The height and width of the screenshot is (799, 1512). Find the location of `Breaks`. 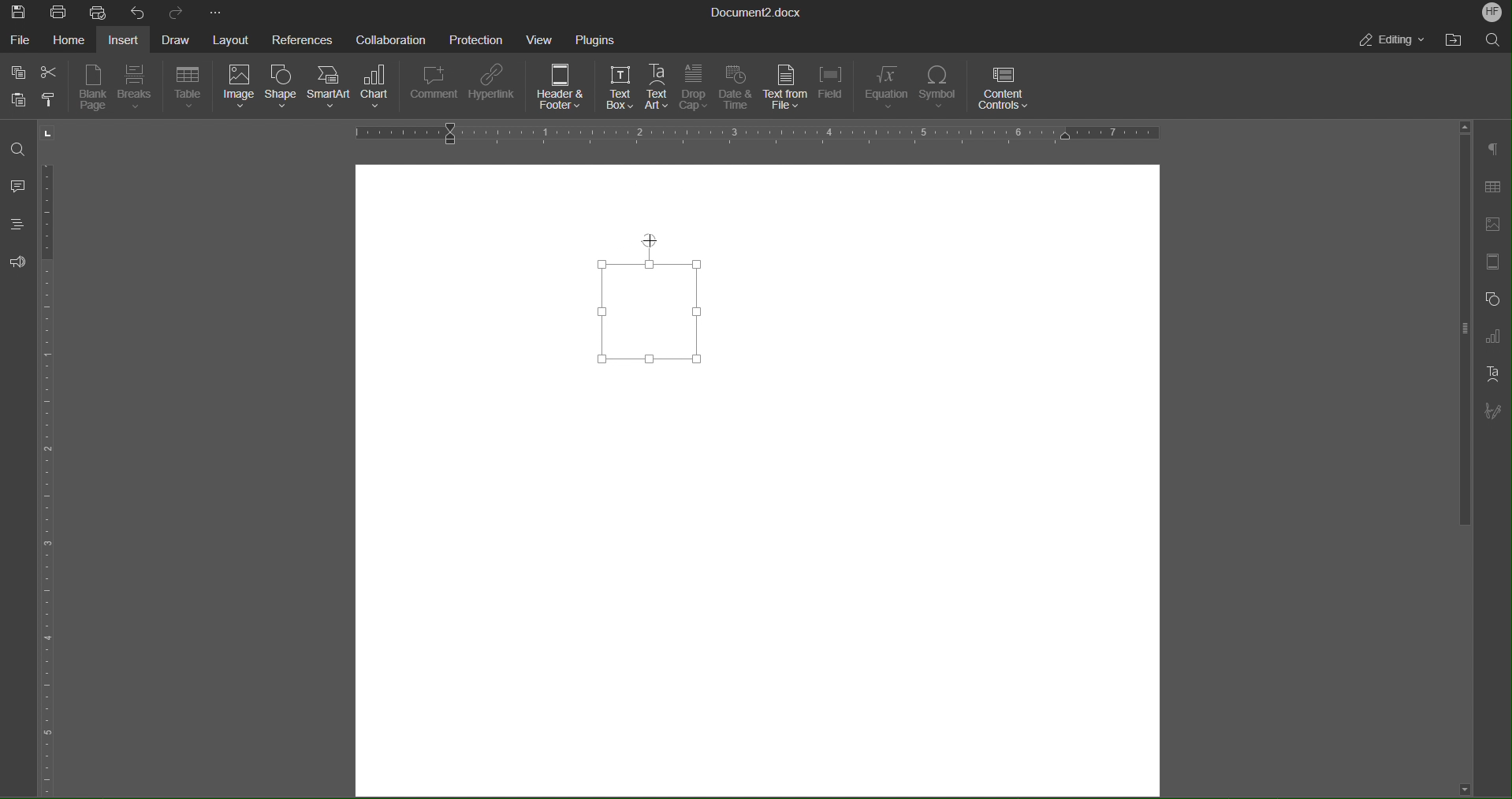

Breaks is located at coordinates (138, 88).